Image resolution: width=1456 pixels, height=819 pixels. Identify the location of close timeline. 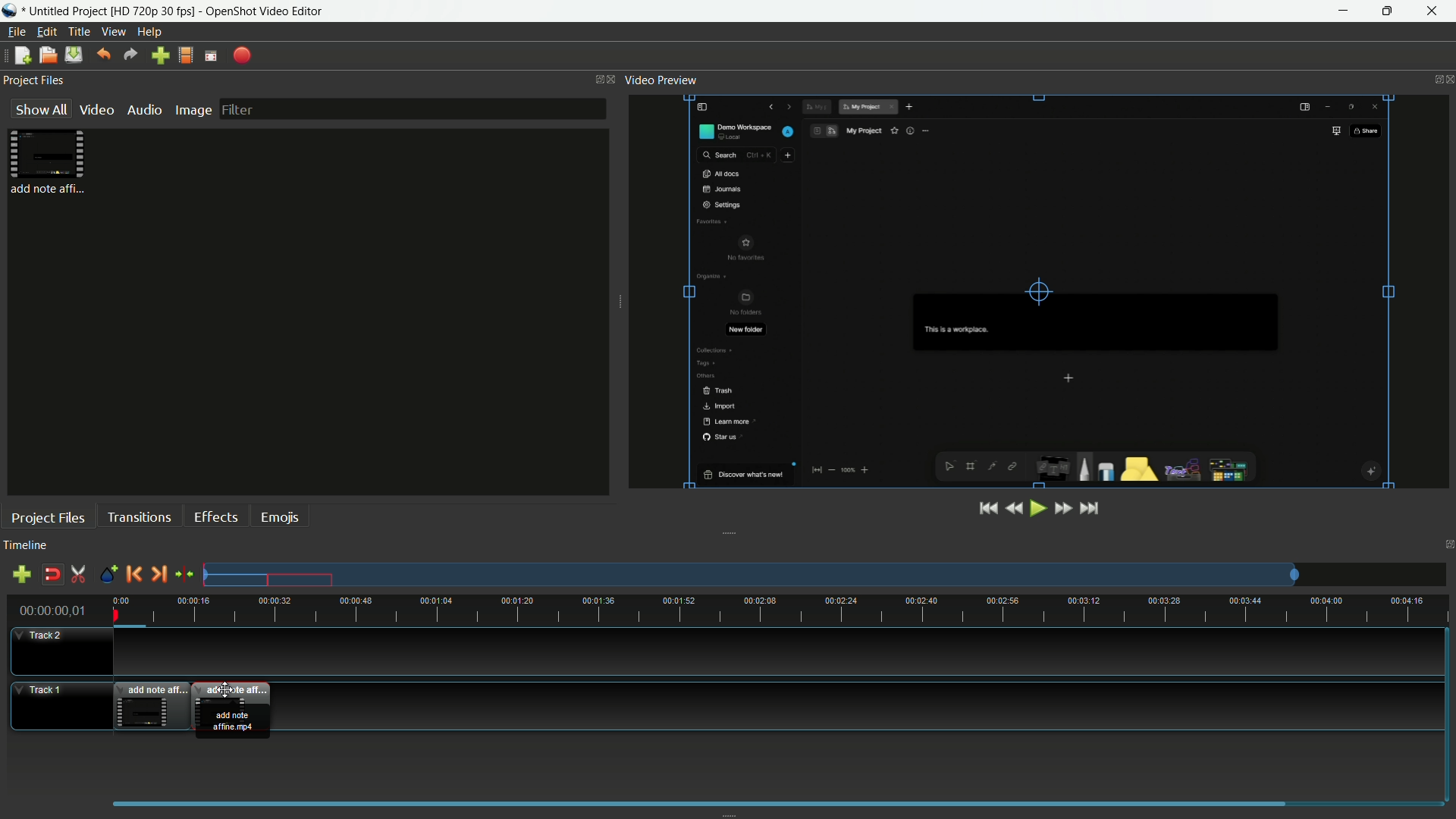
(1448, 543).